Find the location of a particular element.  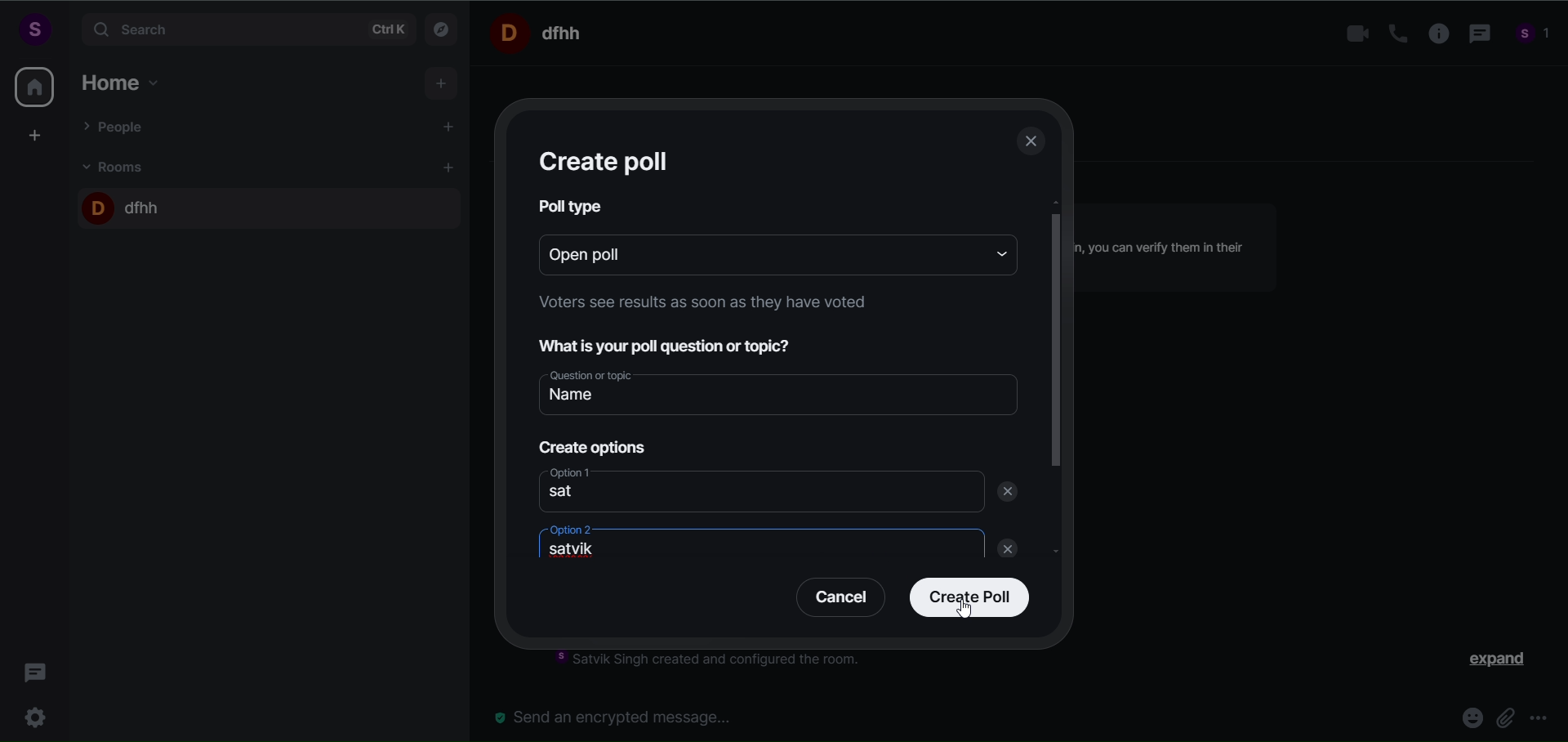

close is located at coordinates (1002, 551).